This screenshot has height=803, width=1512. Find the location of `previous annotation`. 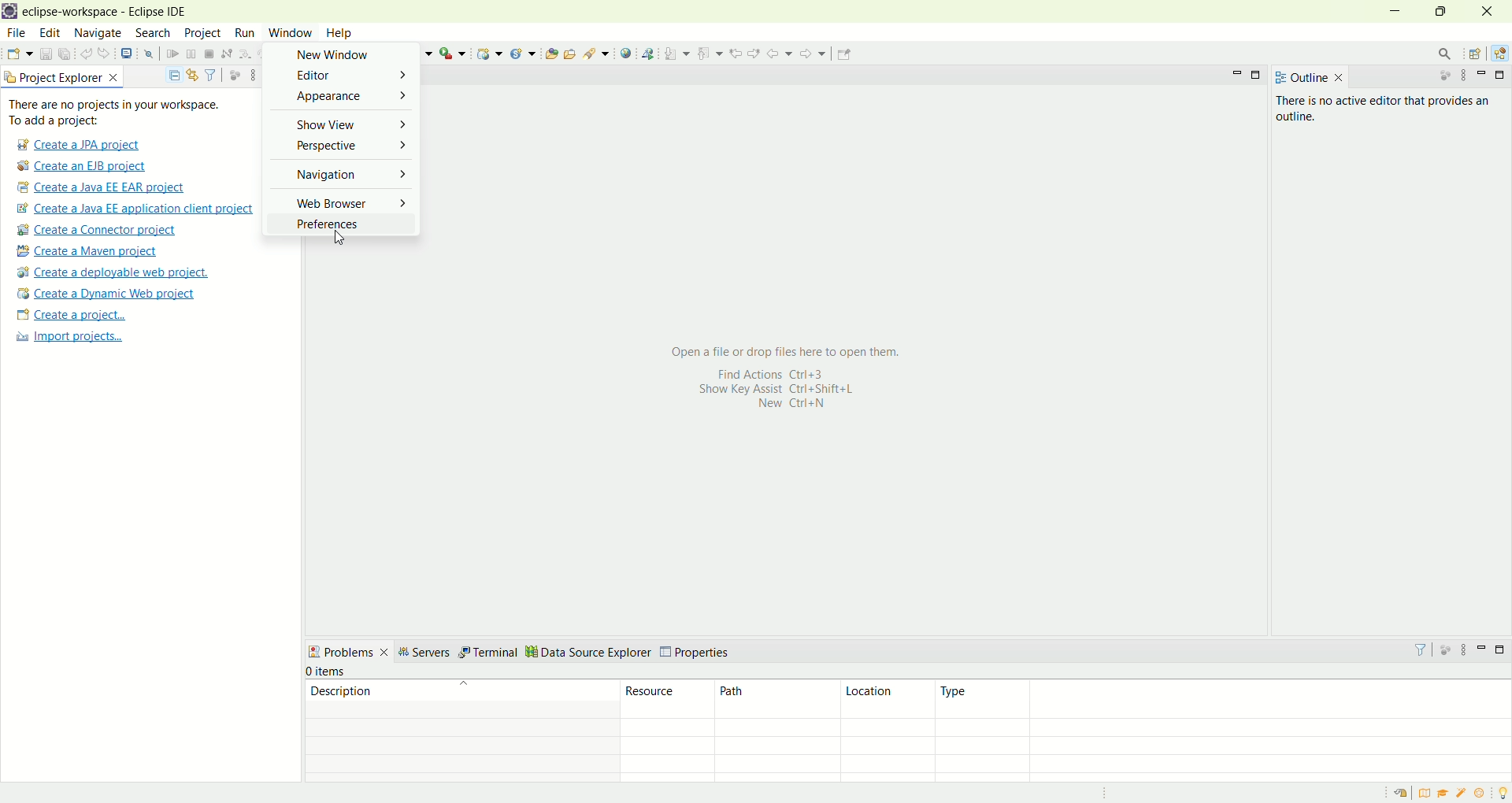

previous annotation is located at coordinates (713, 52).